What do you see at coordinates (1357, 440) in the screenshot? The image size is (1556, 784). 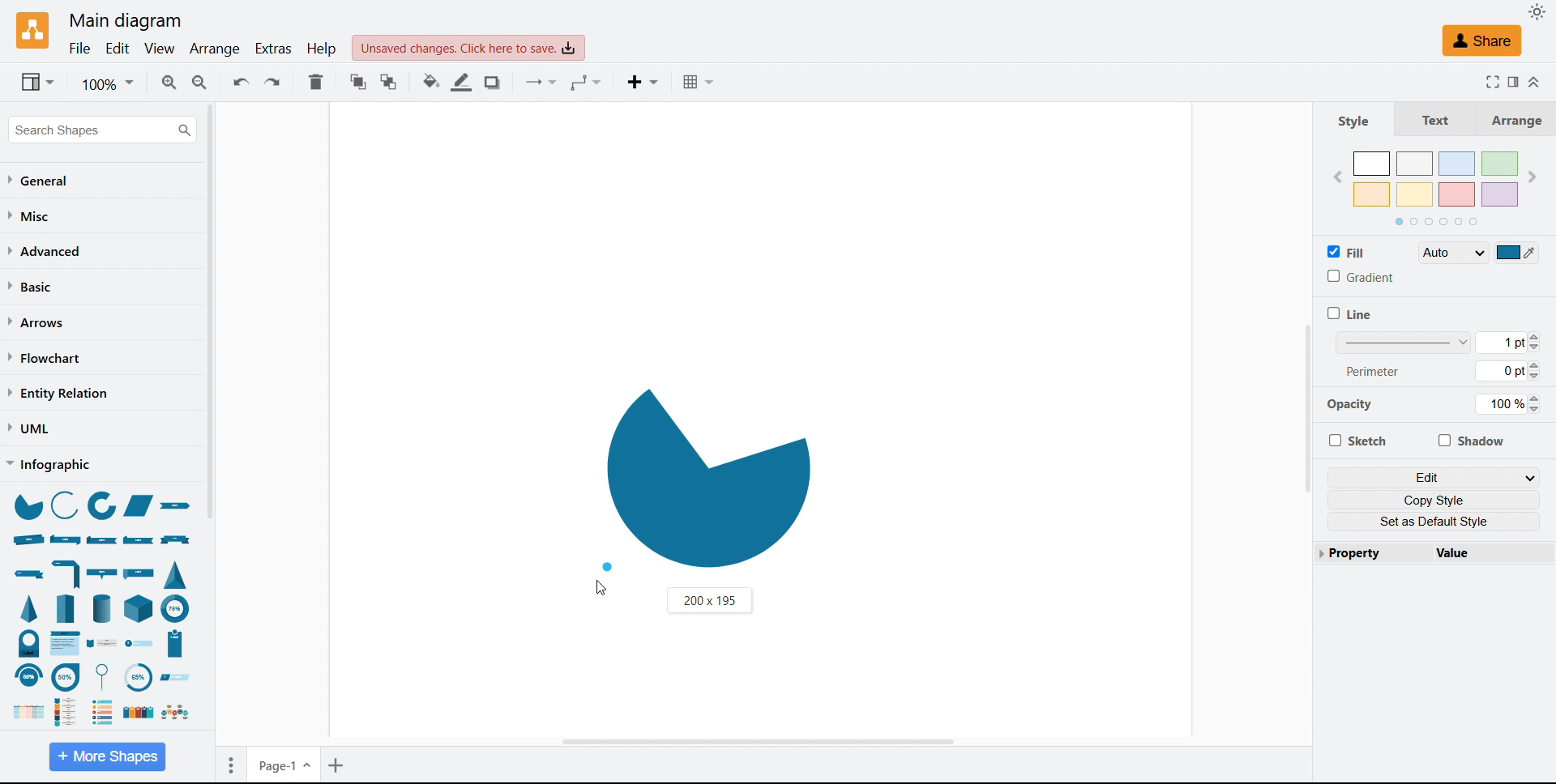 I see `Sketch ` at bounding box center [1357, 440].